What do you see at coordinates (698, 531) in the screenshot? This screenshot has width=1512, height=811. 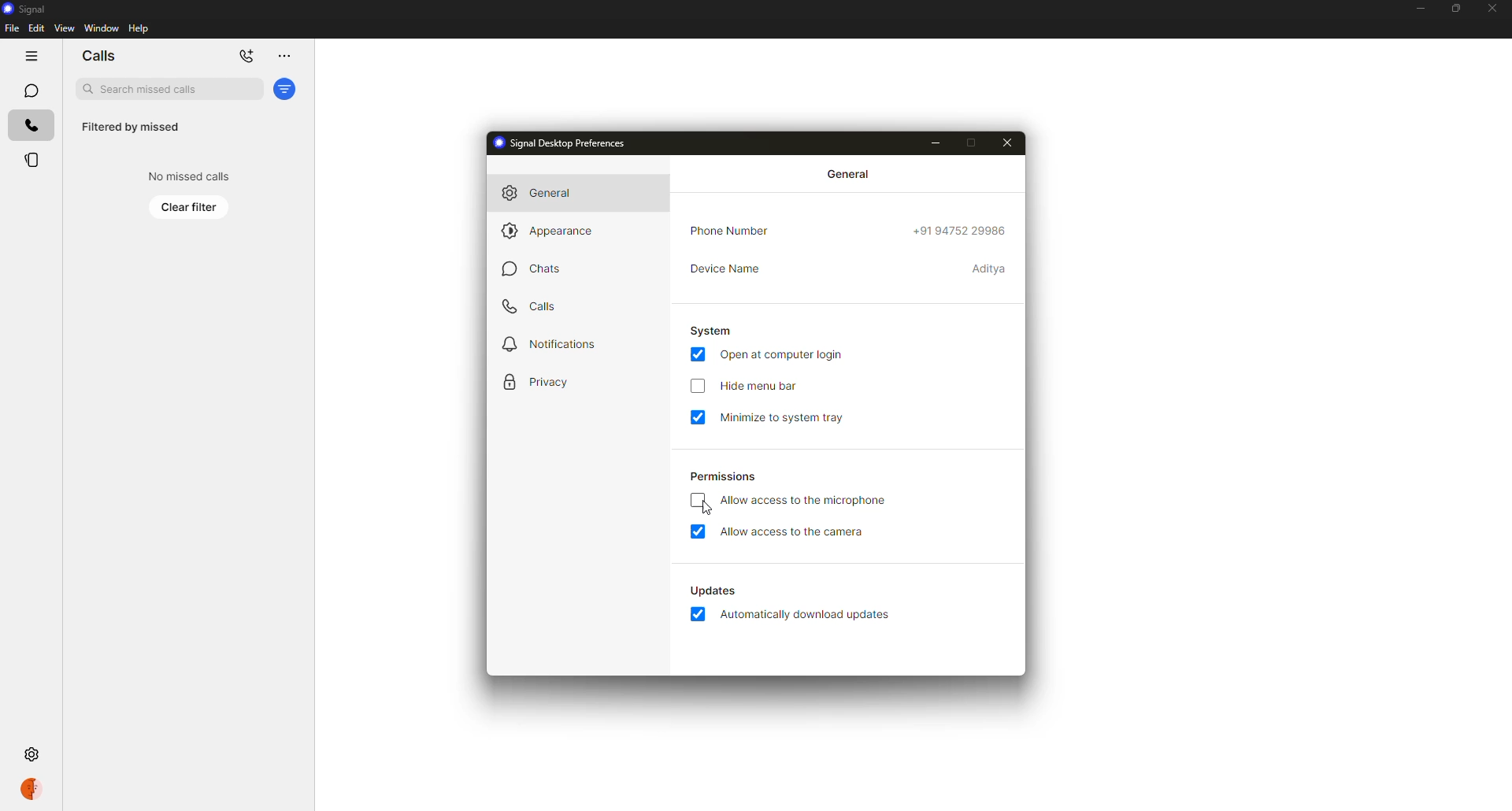 I see `enabled` at bounding box center [698, 531].